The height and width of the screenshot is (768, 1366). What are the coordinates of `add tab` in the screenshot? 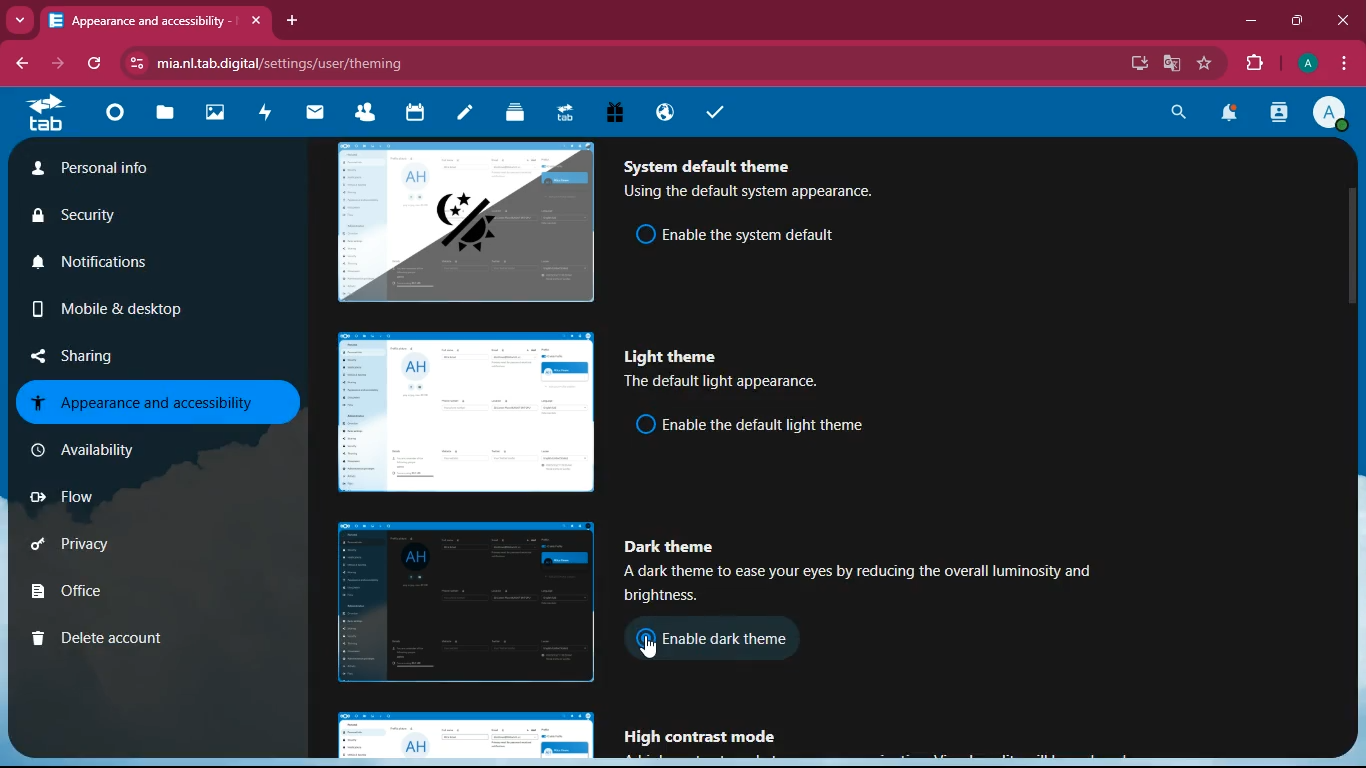 It's located at (294, 21).